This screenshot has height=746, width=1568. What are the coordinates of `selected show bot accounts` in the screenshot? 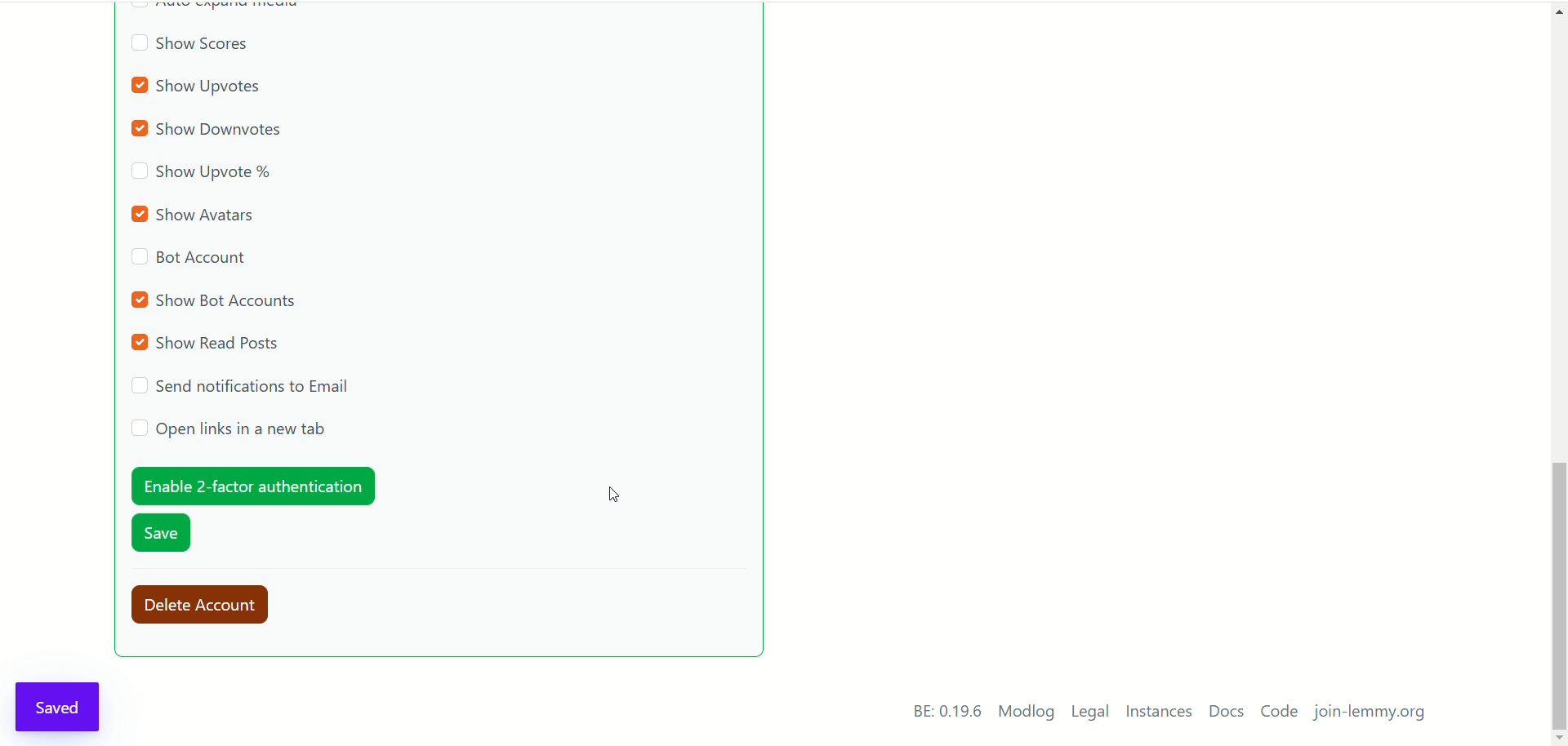 It's located at (216, 300).